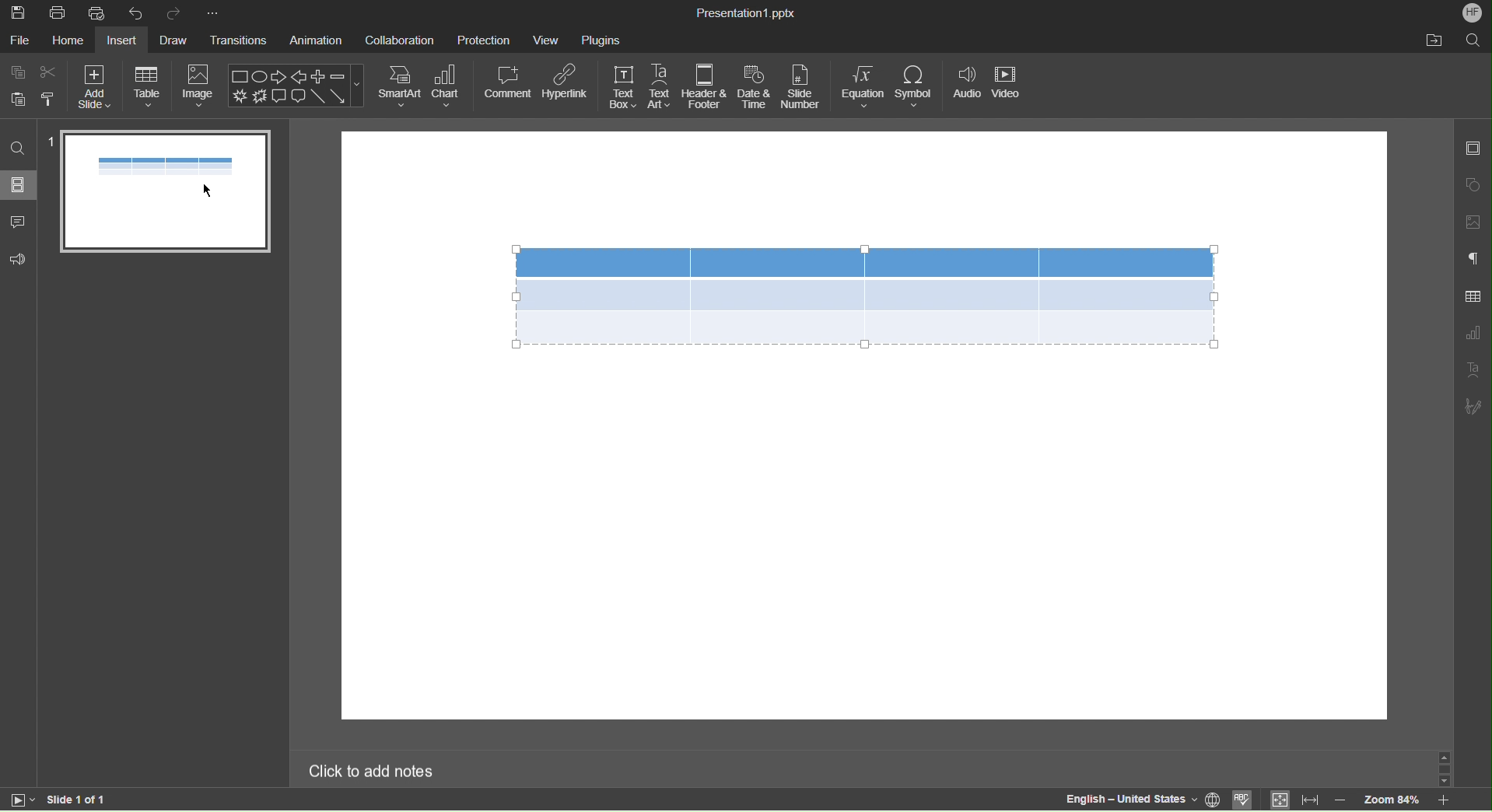  I want to click on Slide Number, so click(803, 87).